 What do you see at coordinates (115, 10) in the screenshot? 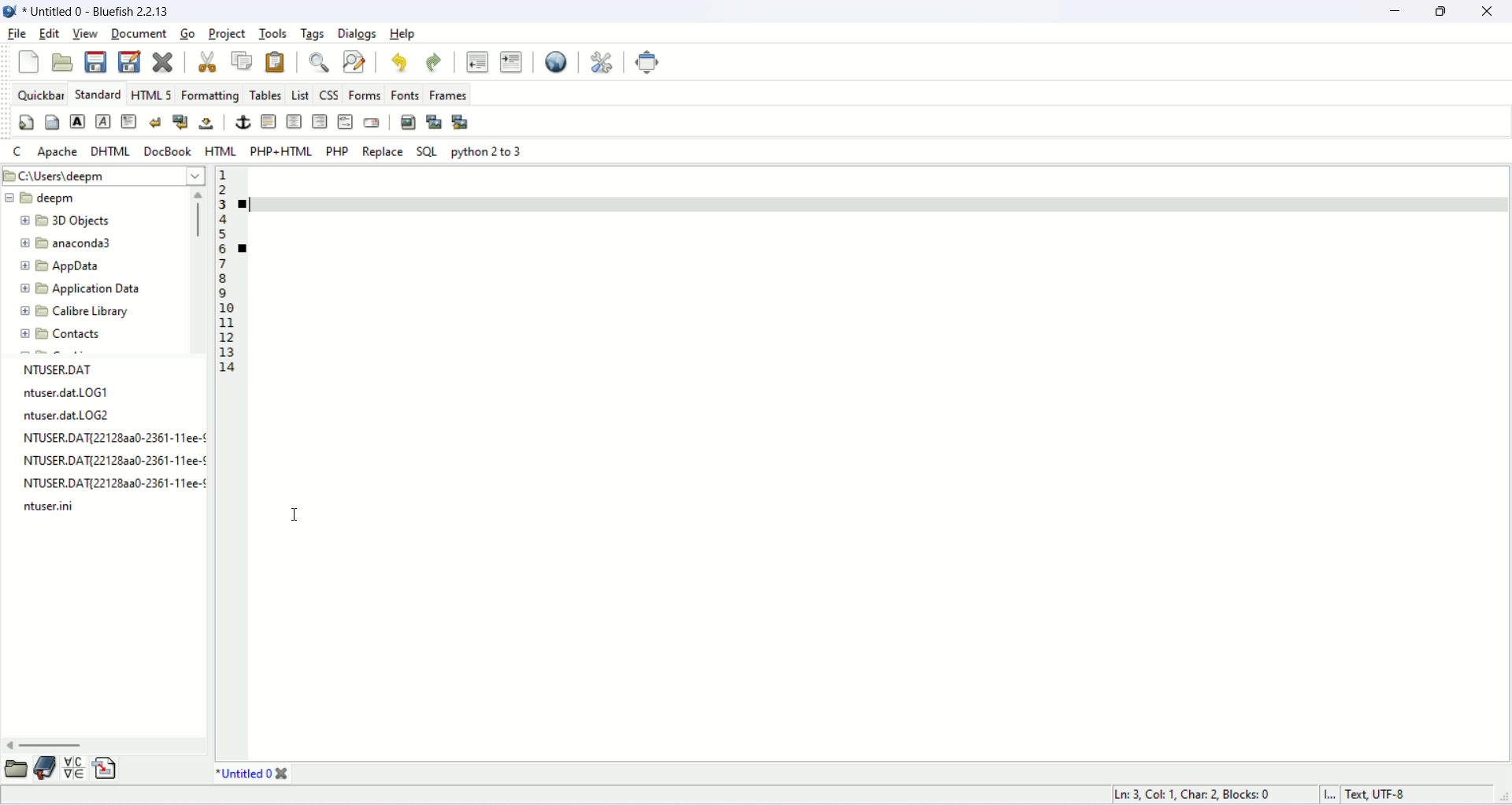
I see `document name` at bounding box center [115, 10].